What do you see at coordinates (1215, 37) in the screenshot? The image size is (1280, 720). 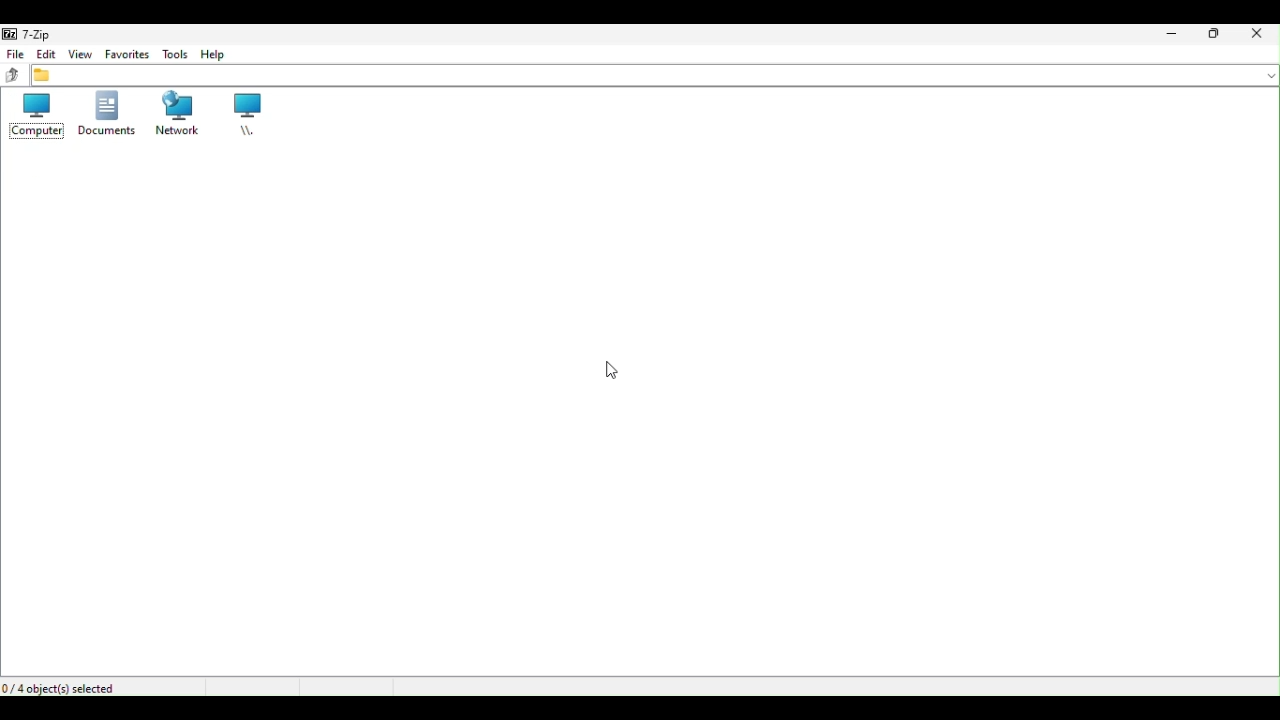 I see `Restore` at bounding box center [1215, 37].